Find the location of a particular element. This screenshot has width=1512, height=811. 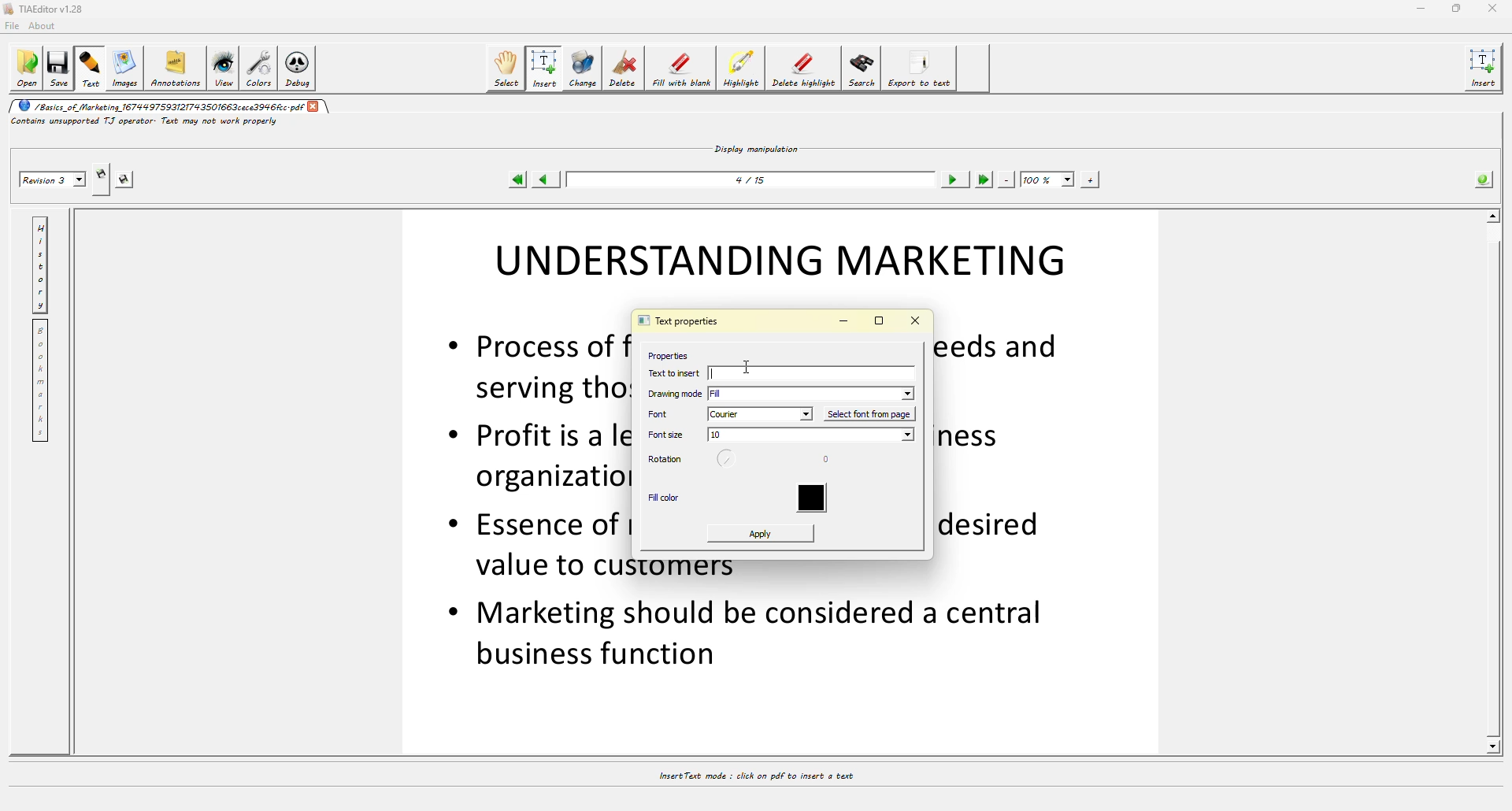

100% is located at coordinates (1047, 179).